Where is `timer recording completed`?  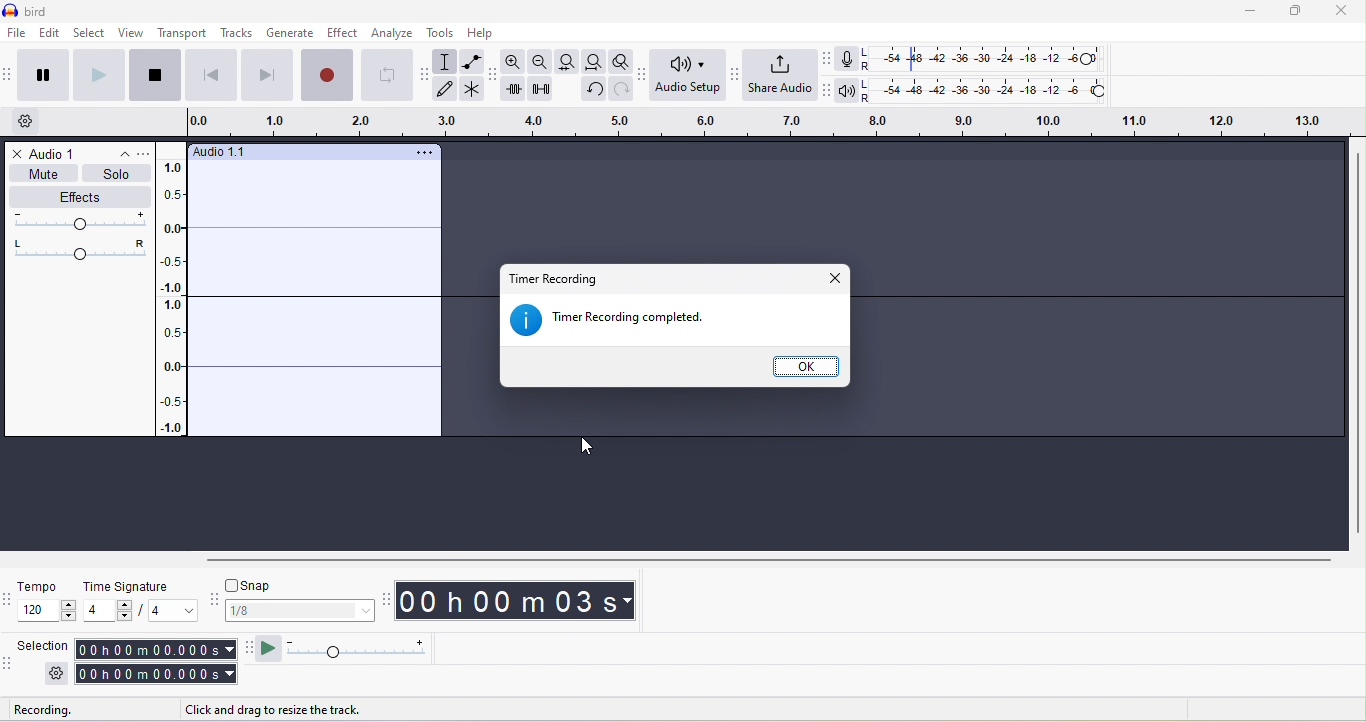
timer recording completed is located at coordinates (622, 321).